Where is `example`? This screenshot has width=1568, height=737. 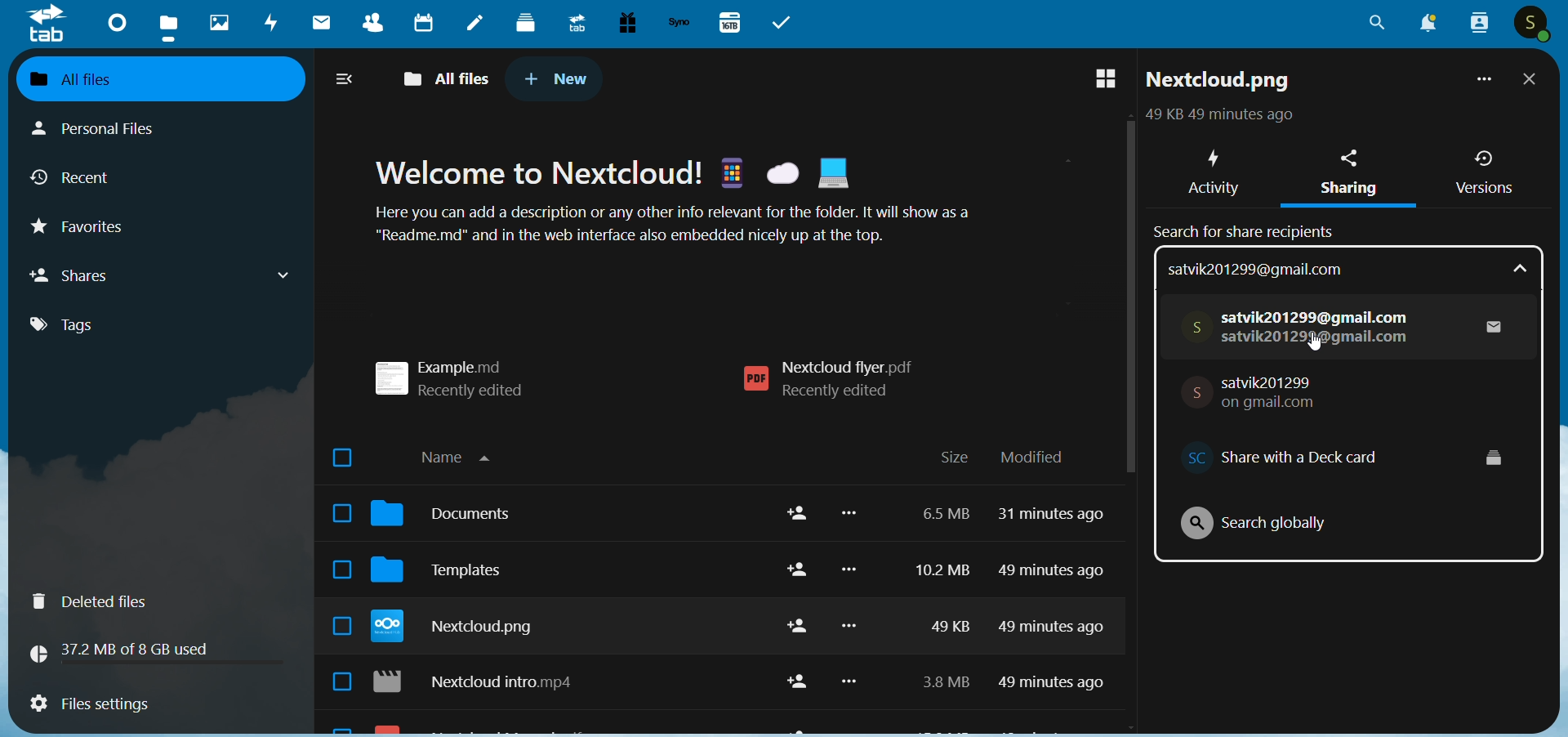
example is located at coordinates (461, 373).